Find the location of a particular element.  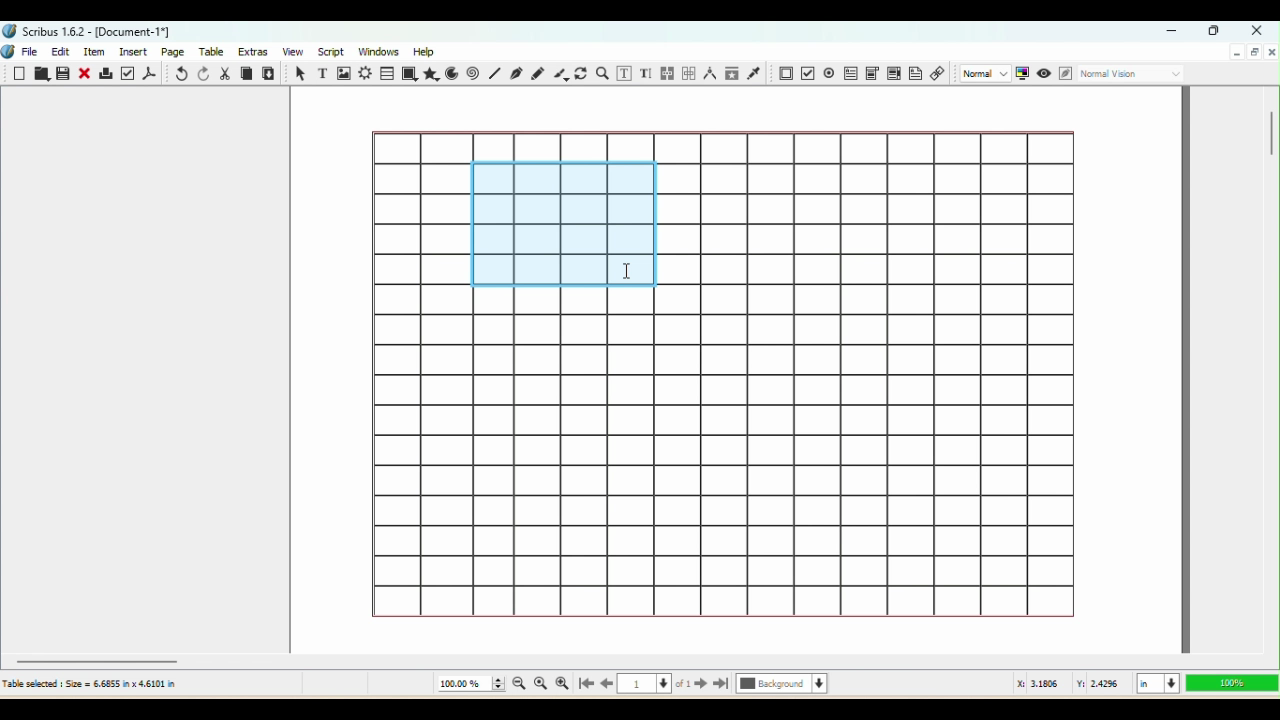

Go back to the previous page is located at coordinates (607, 685).